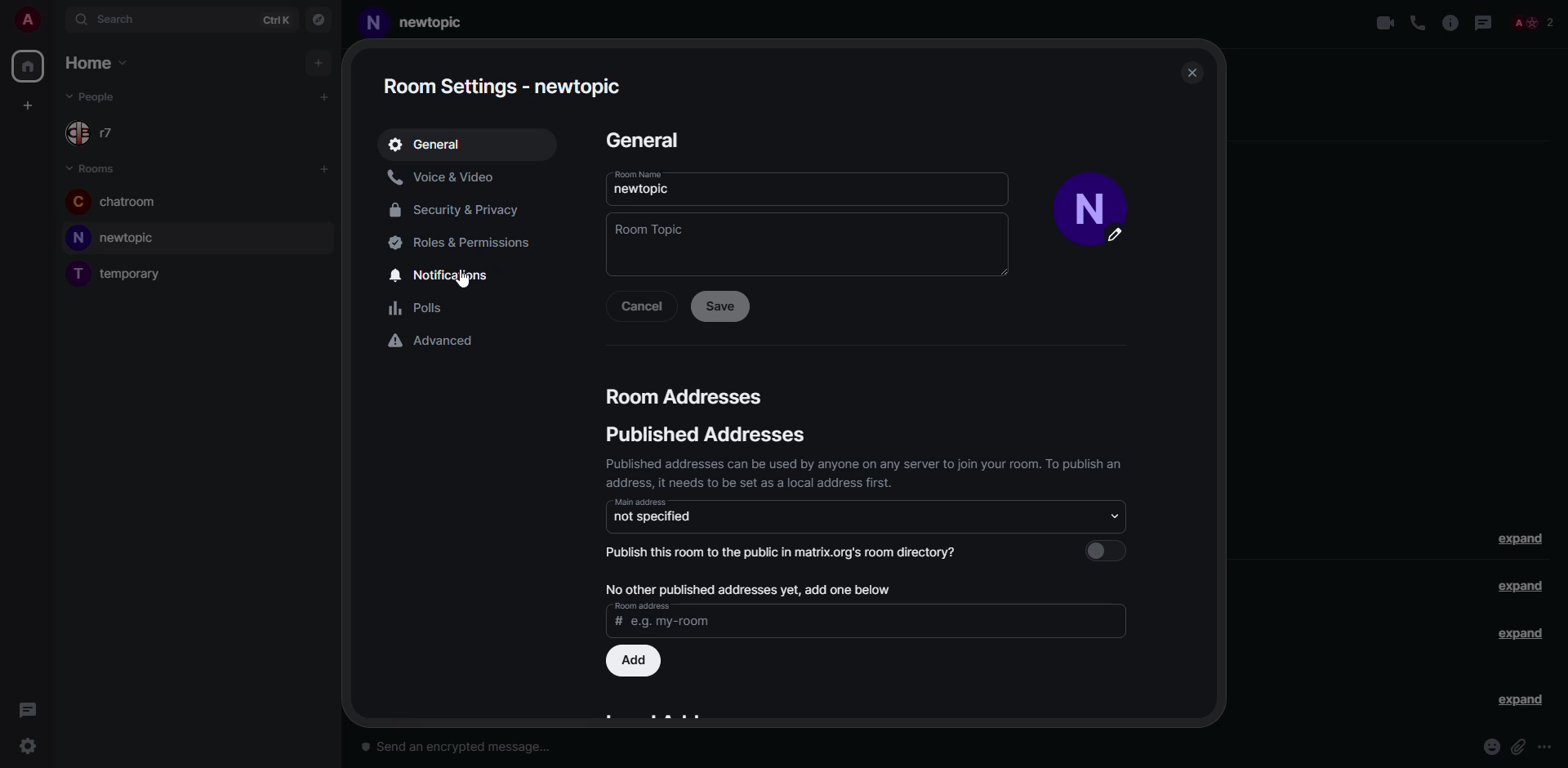 This screenshot has height=768, width=1568. I want to click on add, so click(28, 104).